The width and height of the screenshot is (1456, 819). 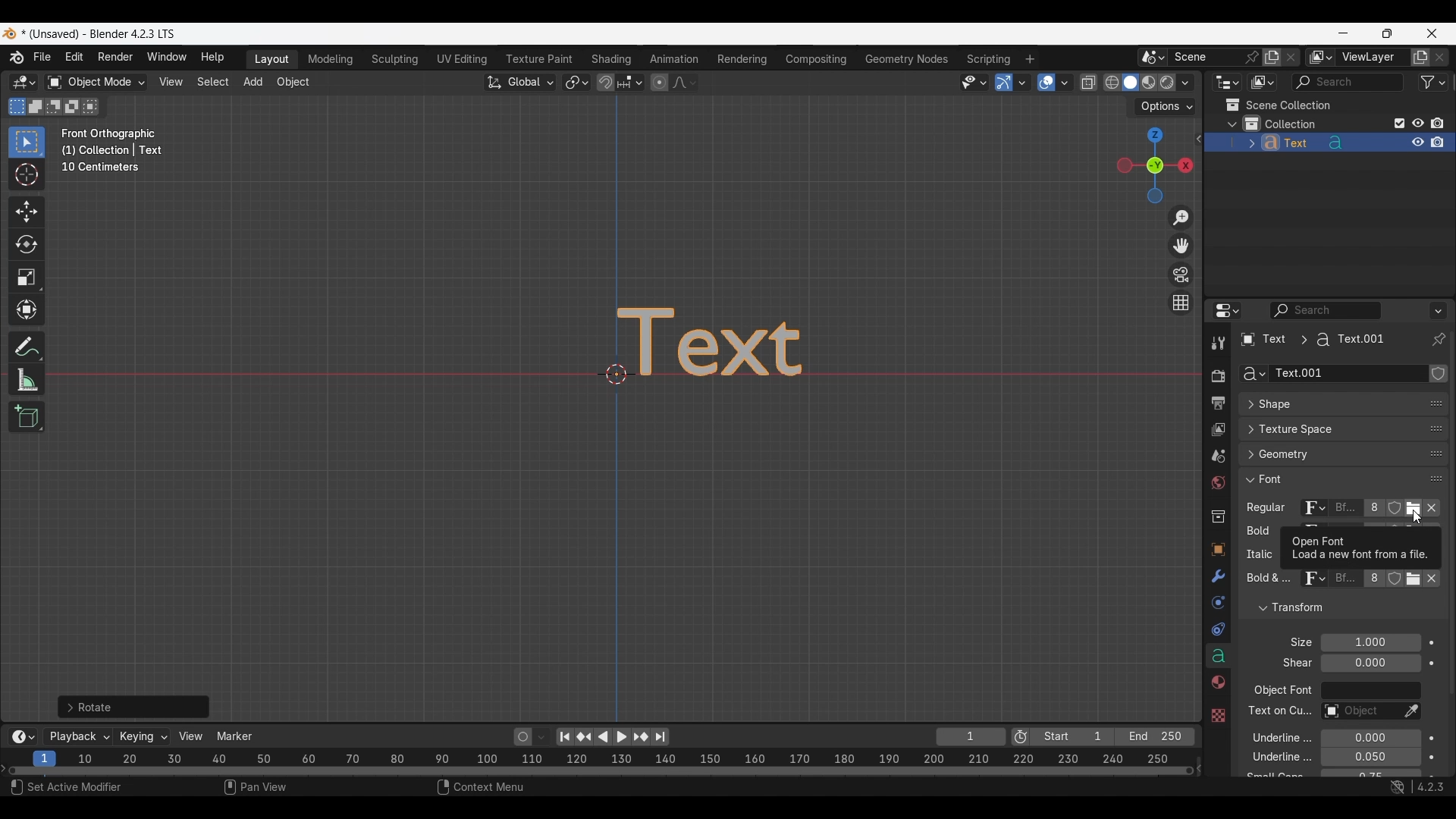 I want to click on Shading workspace , so click(x=613, y=59).